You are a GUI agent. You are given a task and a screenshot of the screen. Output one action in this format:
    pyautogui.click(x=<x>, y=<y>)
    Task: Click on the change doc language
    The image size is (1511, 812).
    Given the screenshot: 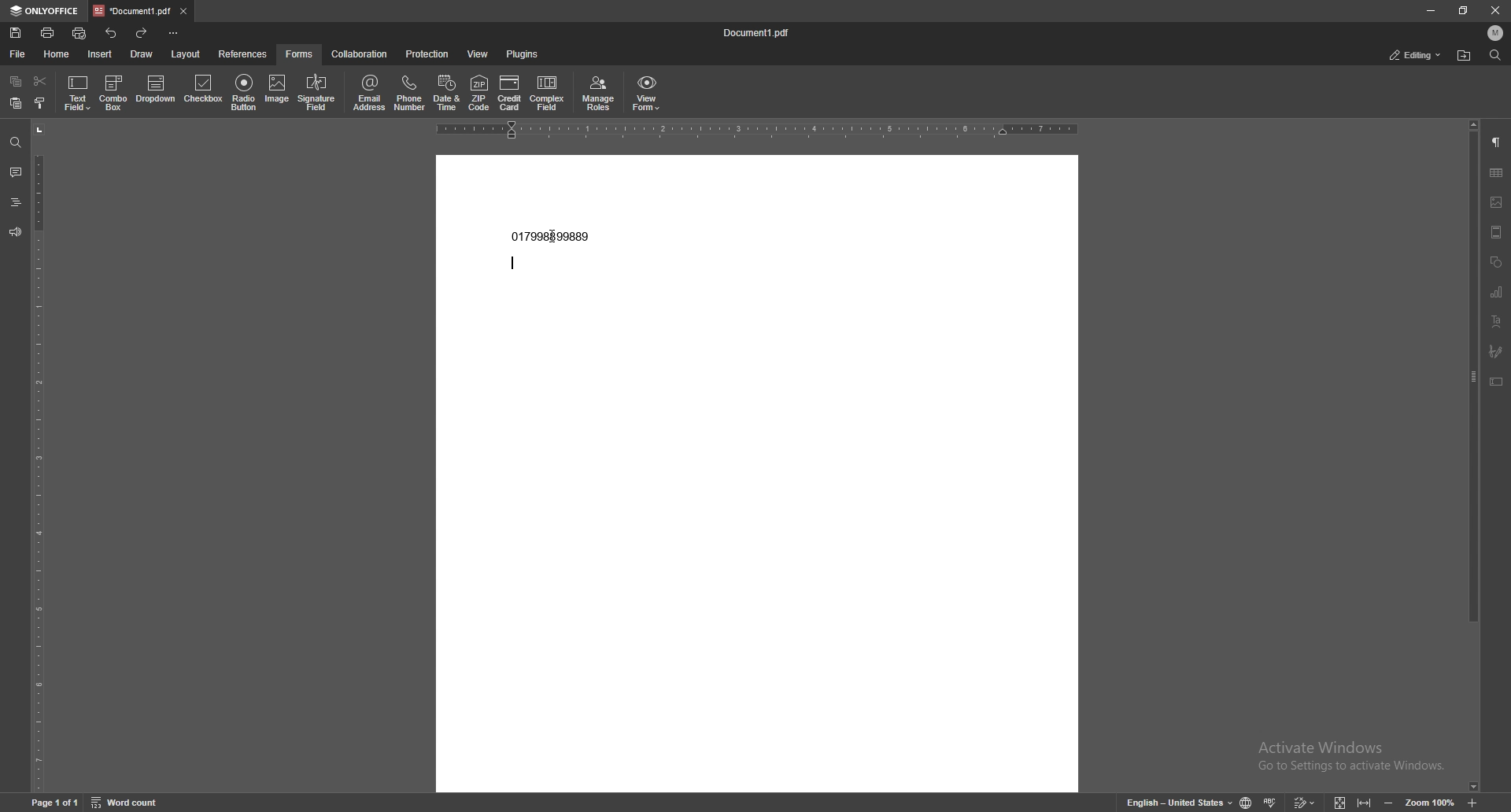 What is the action you would take?
    pyautogui.click(x=1247, y=803)
    